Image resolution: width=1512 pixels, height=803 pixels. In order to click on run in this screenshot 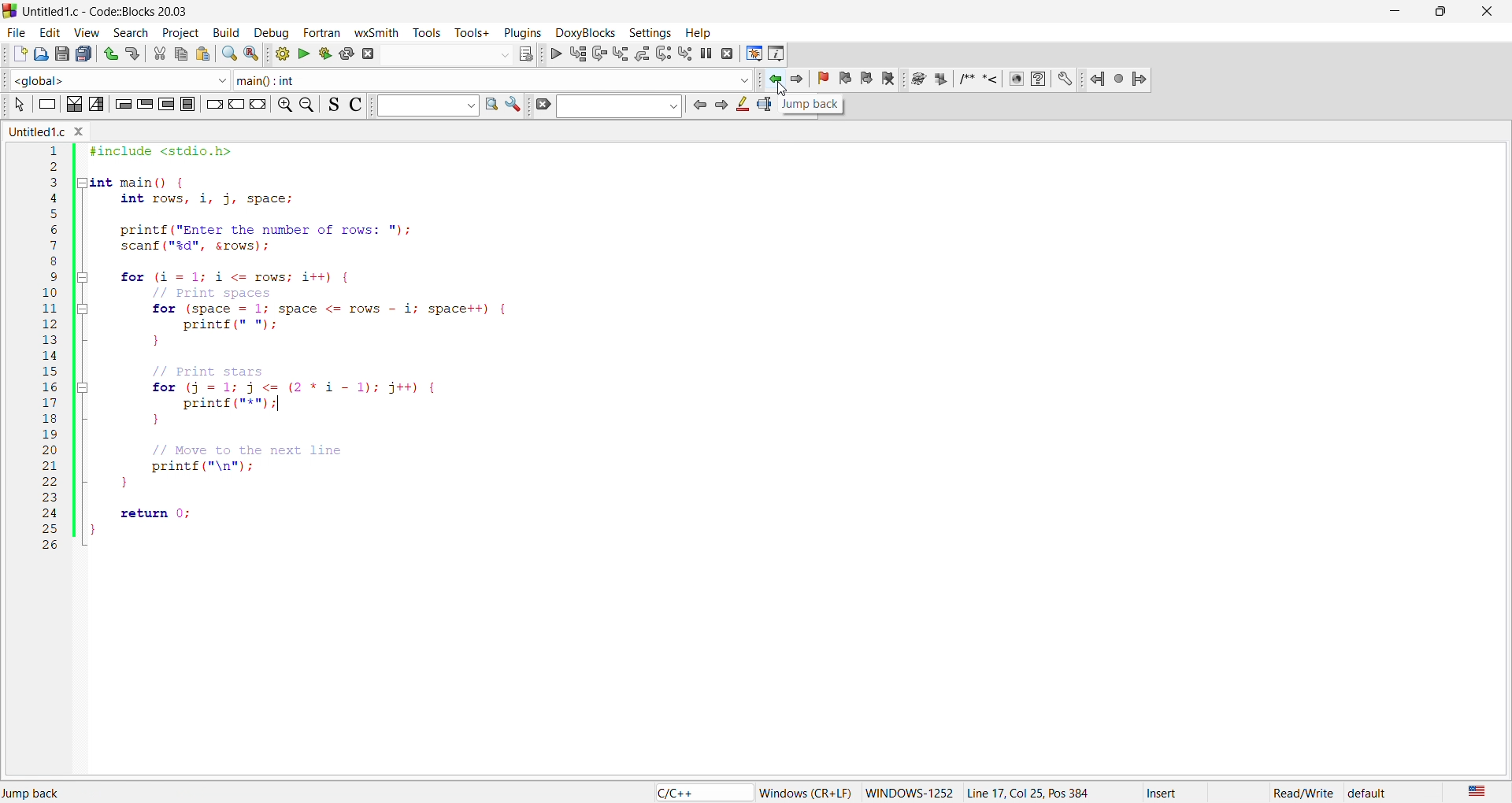, I will do `click(304, 54)`.